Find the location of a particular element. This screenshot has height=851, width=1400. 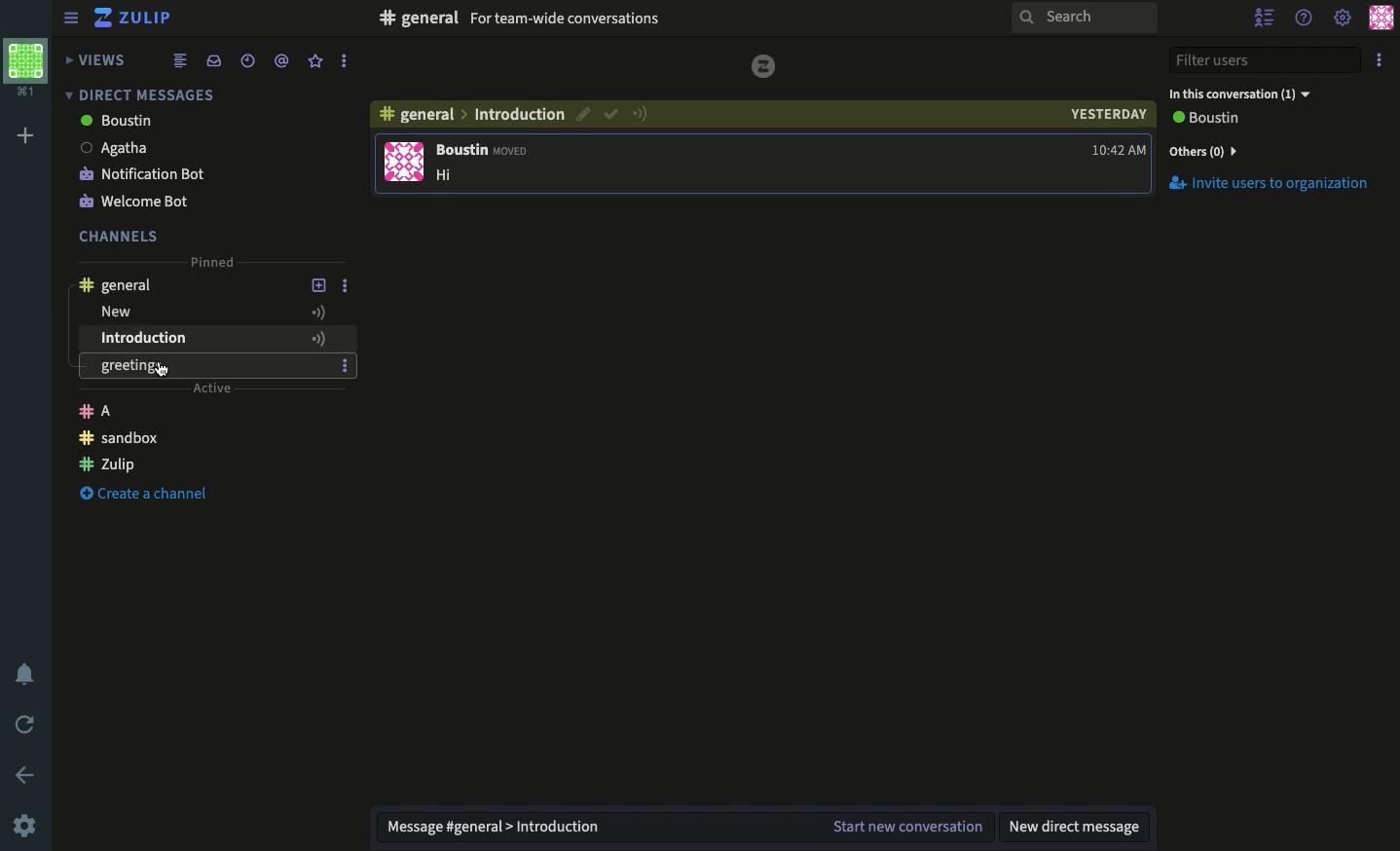

Channels is located at coordinates (119, 236).